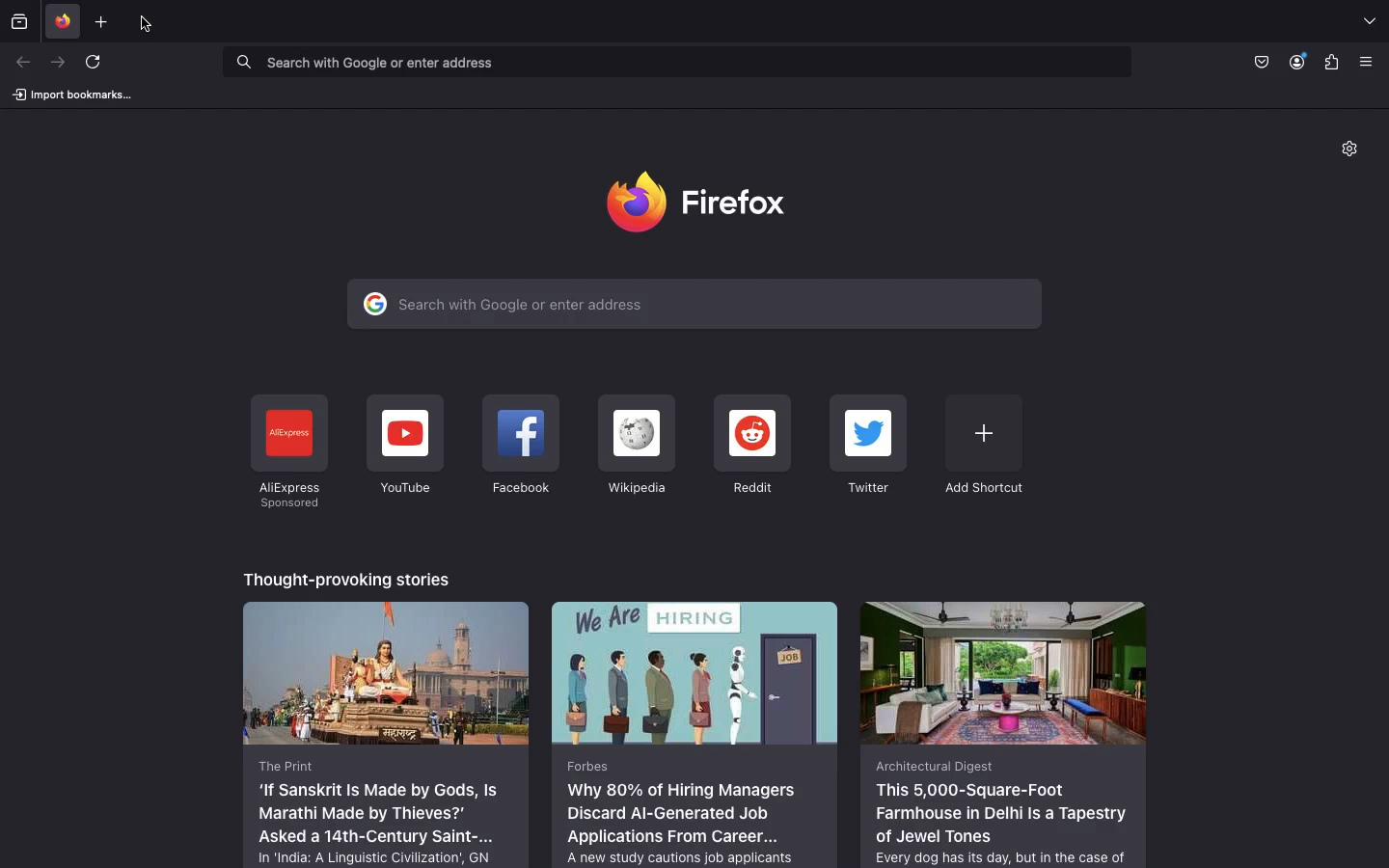  I want to click on Open application menu, so click(1372, 62).